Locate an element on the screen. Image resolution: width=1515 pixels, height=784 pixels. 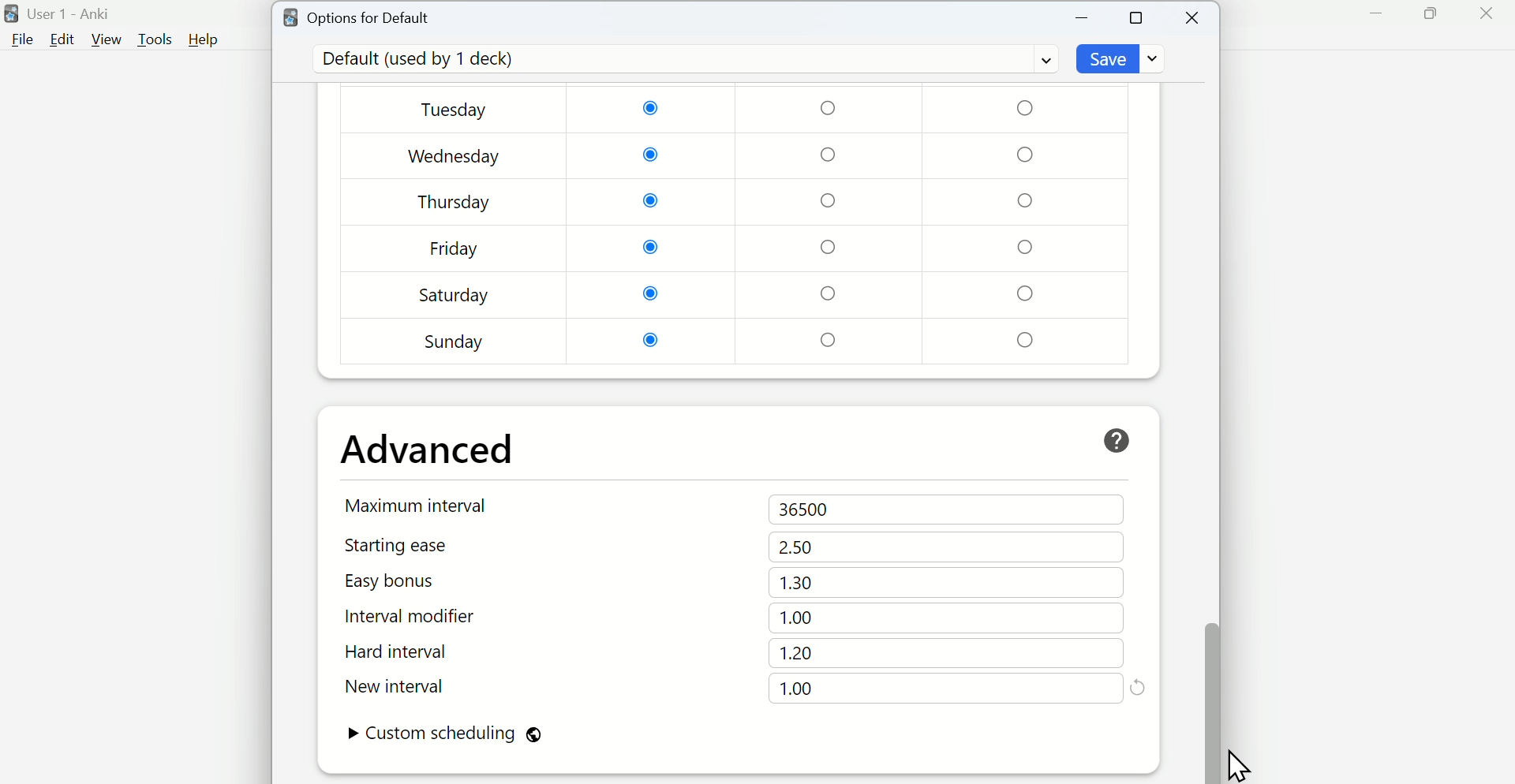
Hard interval is located at coordinates (416, 654).